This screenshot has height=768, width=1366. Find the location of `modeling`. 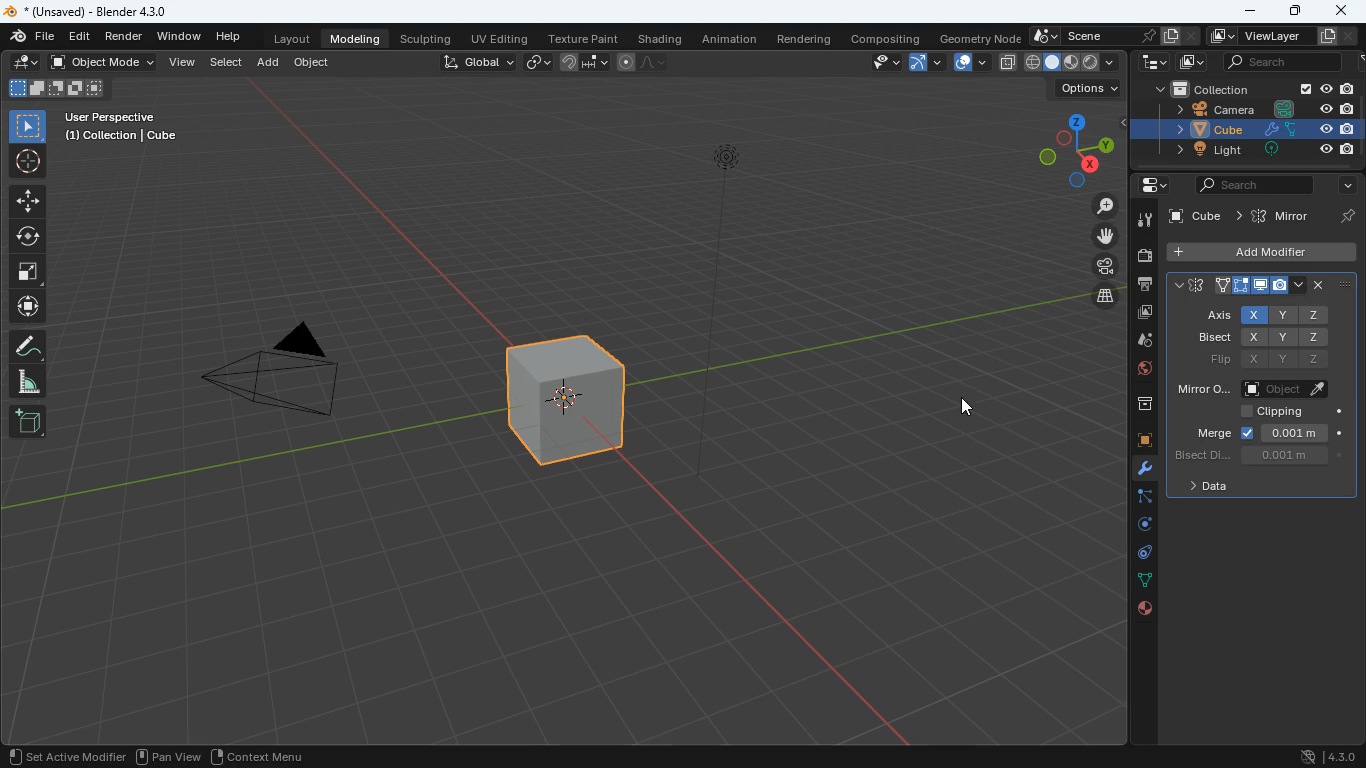

modeling is located at coordinates (354, 39).